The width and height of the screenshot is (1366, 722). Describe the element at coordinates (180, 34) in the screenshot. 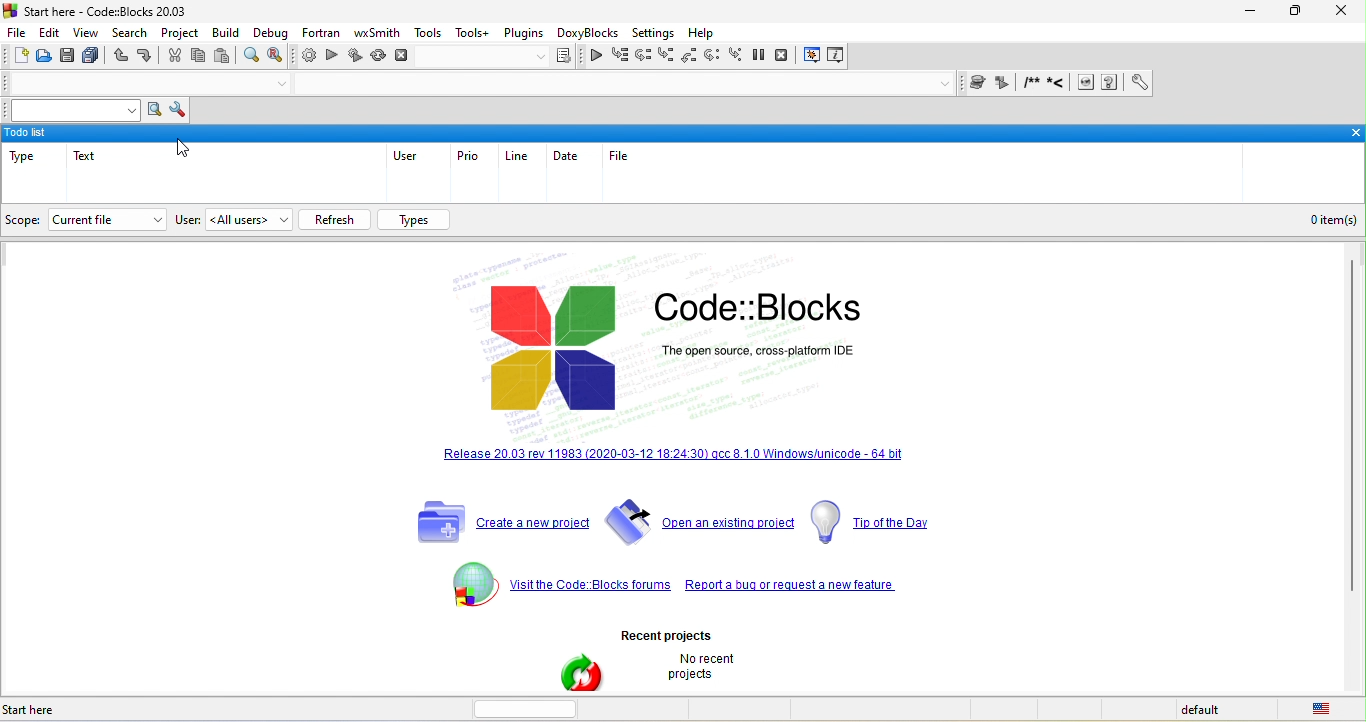

I see `project` at that location.